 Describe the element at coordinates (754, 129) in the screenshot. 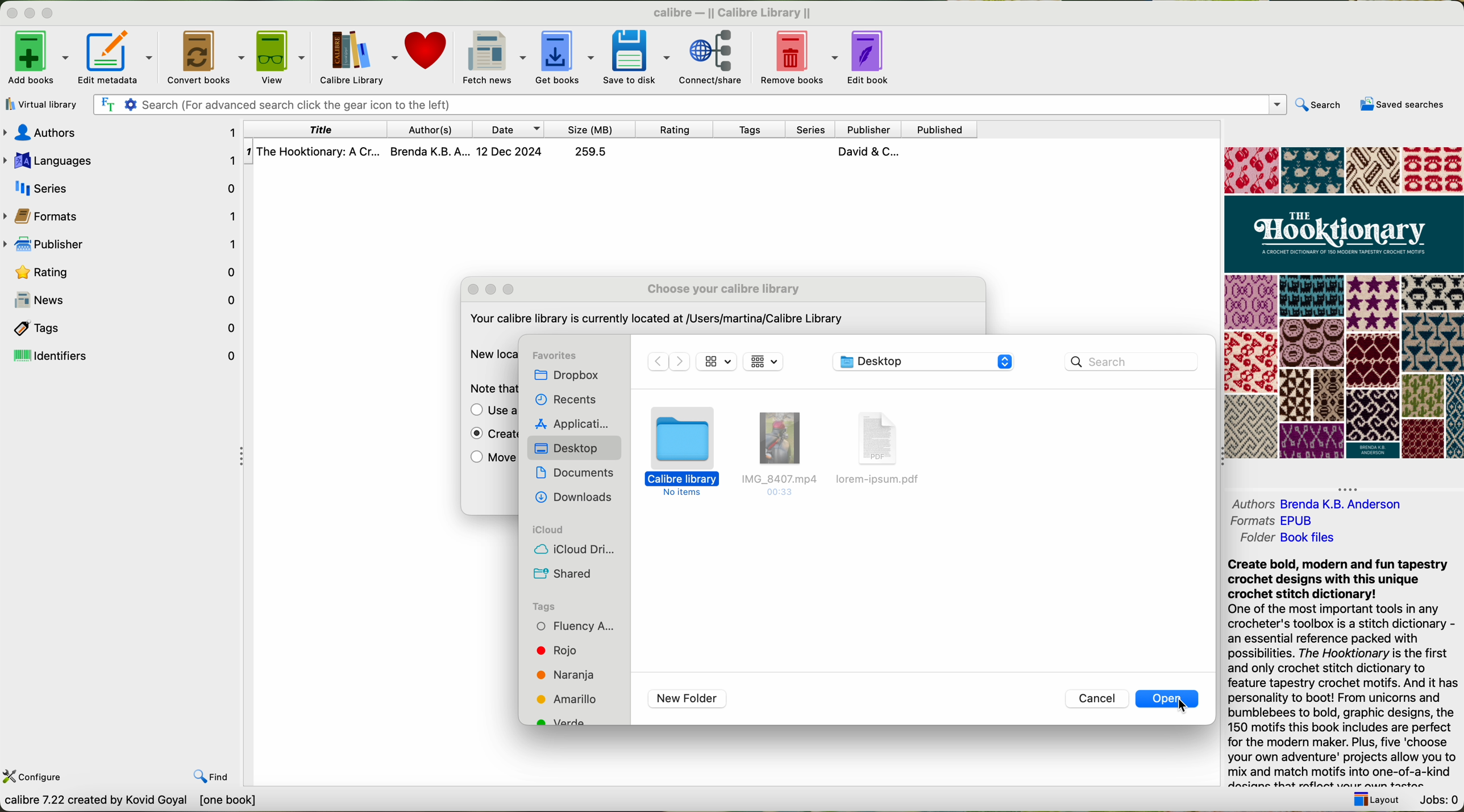

I see `tags` at that location.